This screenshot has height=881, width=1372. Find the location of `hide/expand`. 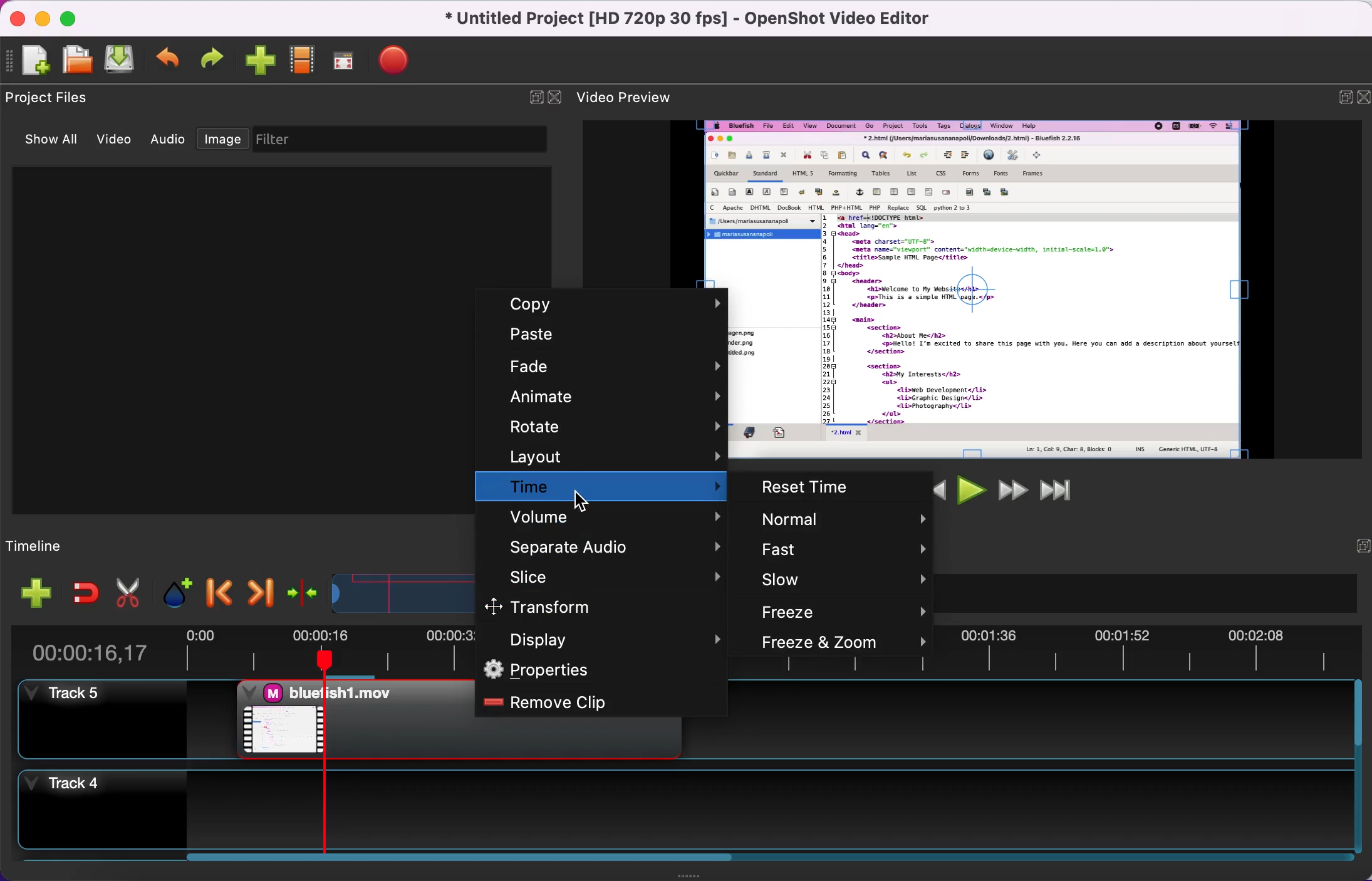

hide/expand is located at coordinates (1354, 547).